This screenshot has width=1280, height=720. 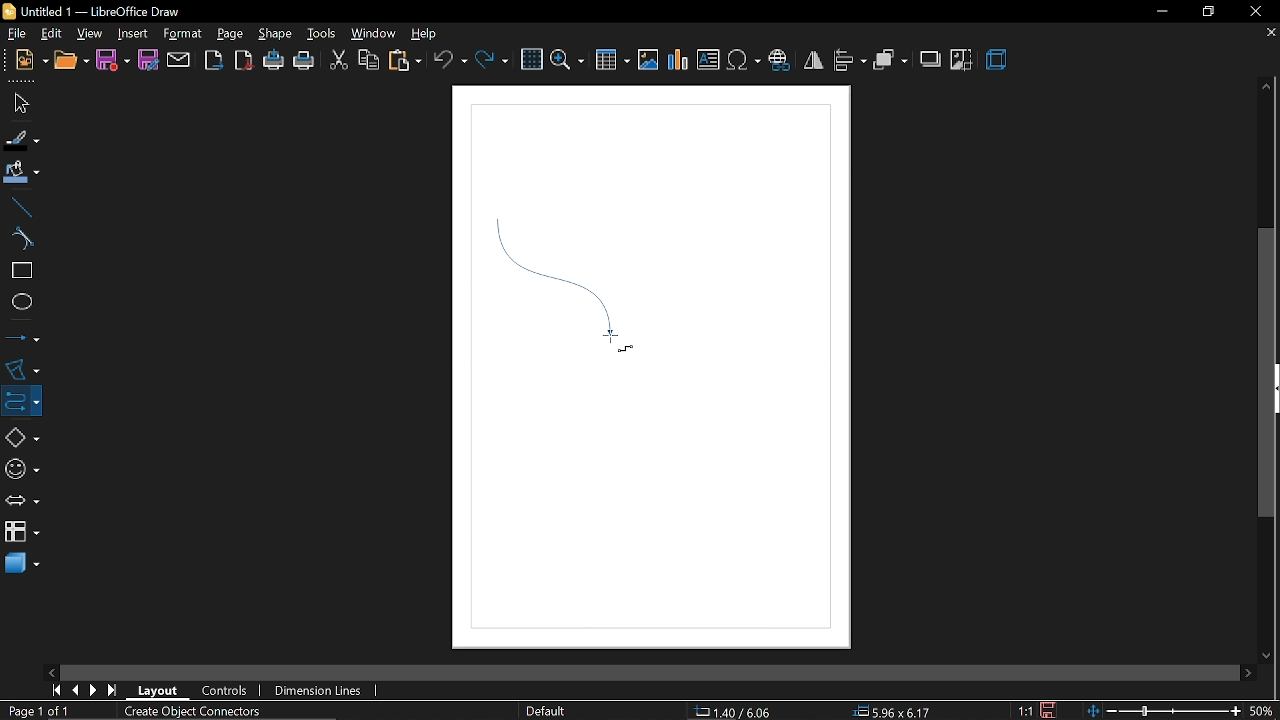 What do you see at coordinates (18, 300) in the screenshot?
I see `ellipse` at bounding box center [18, 300].